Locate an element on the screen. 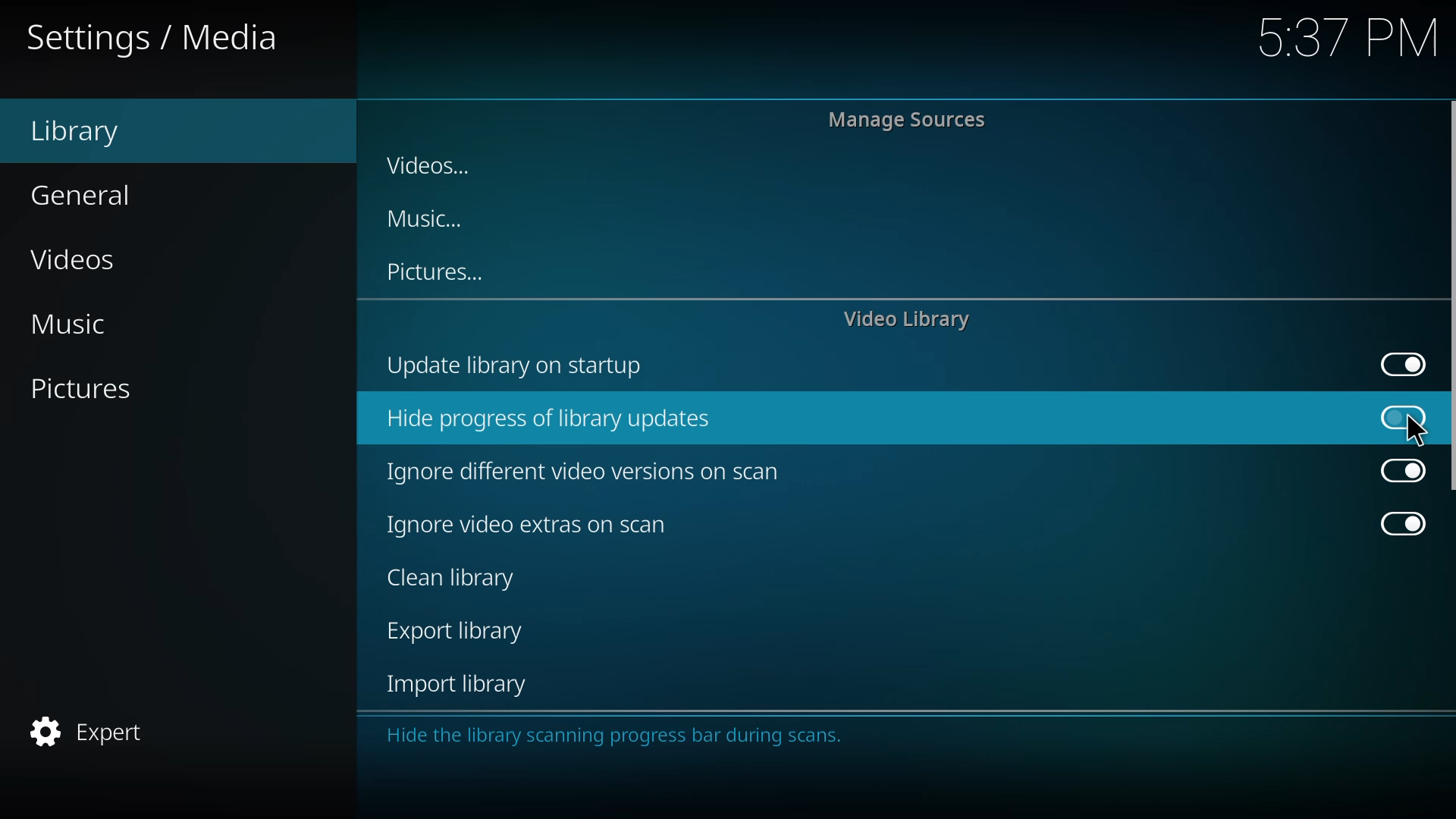 The image size is (1456, 819). settings /media is located at coordinates (171, 42).